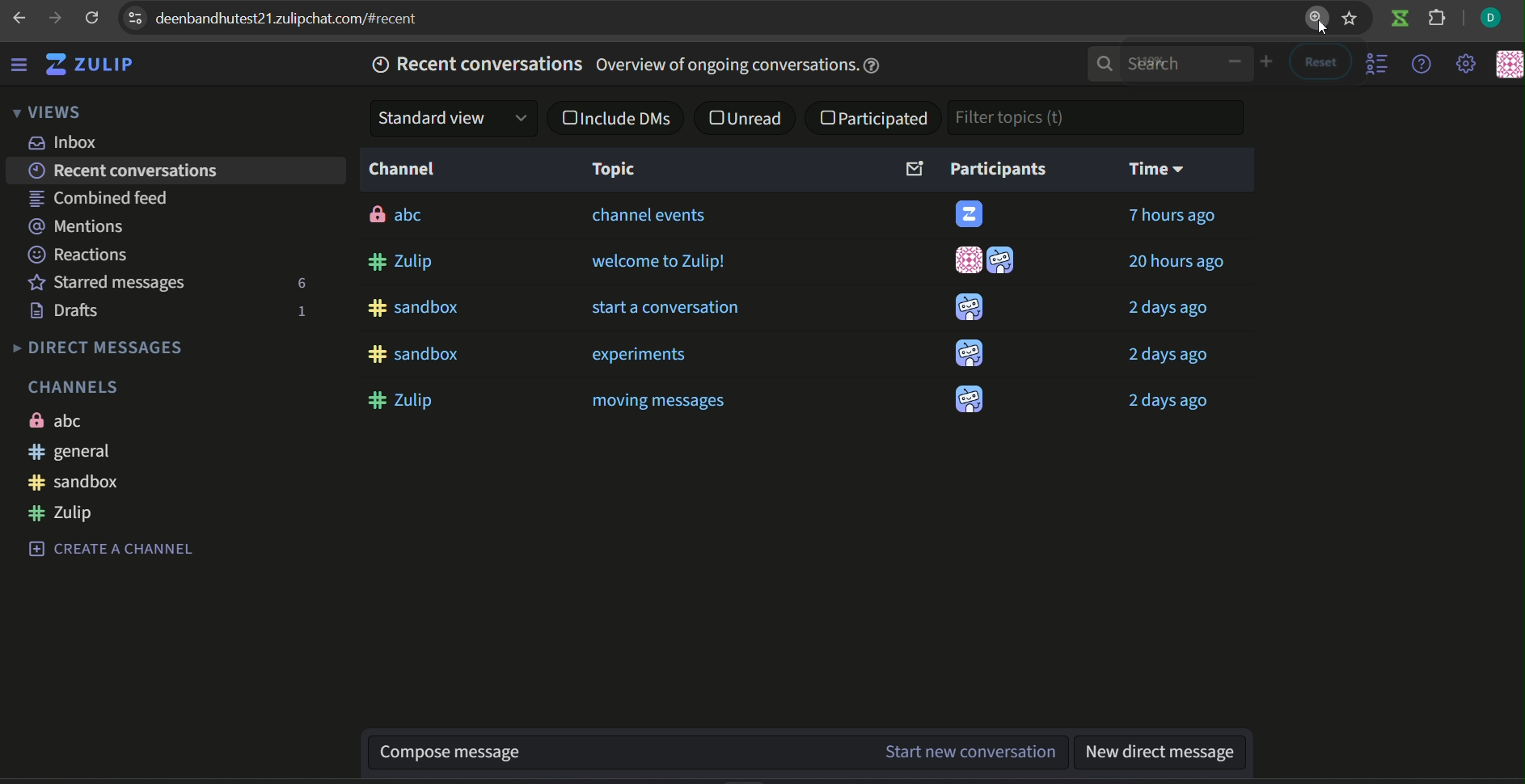 The height and width of the screenshot is (784, 1525). I want to click on inbox, so click(65, 143).